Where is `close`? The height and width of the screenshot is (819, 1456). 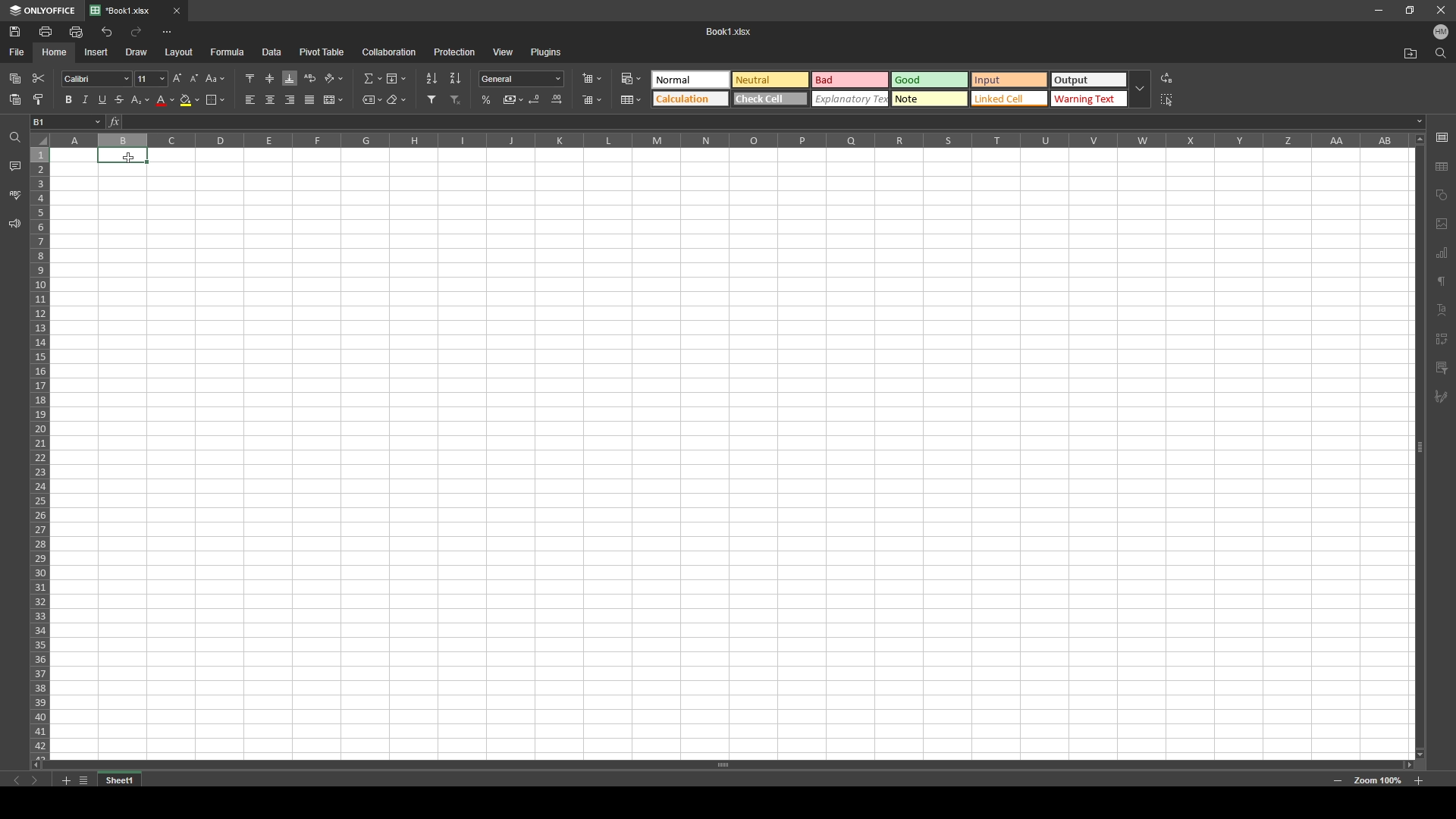 close is located at coordinates (1439, 10).